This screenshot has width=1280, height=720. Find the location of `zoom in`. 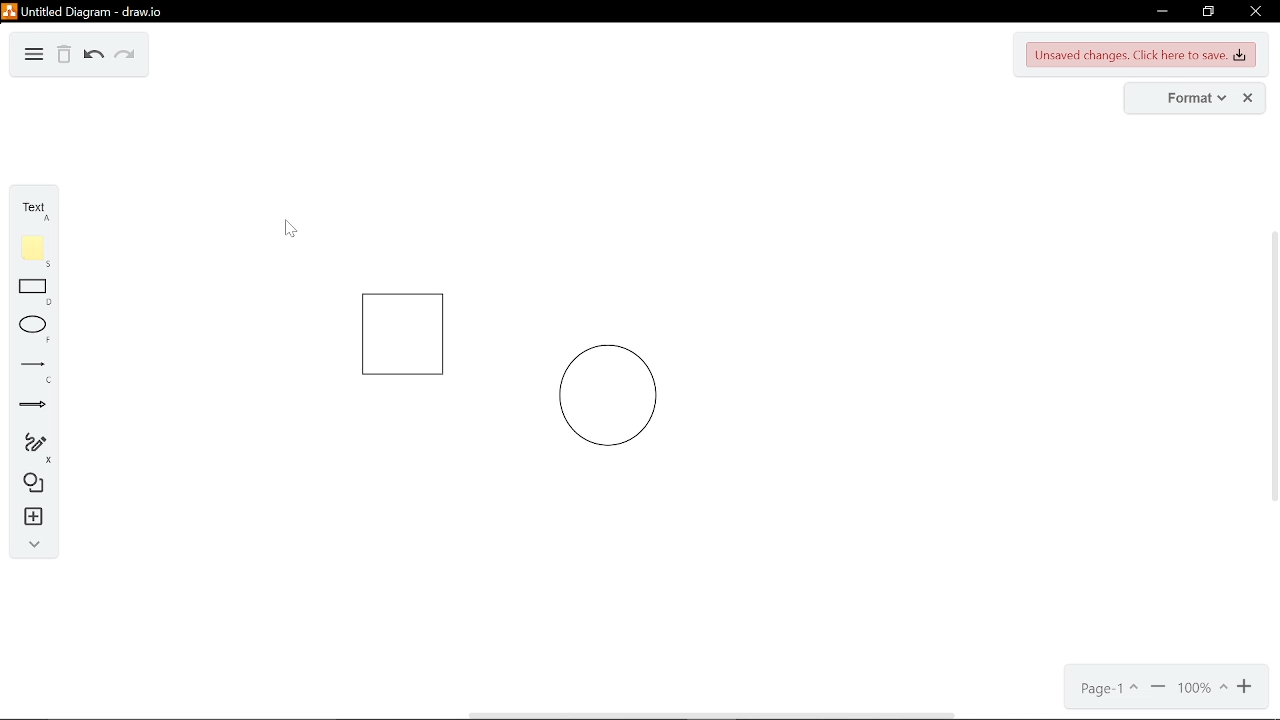

zoom in is located at coordinates (1246, 690).